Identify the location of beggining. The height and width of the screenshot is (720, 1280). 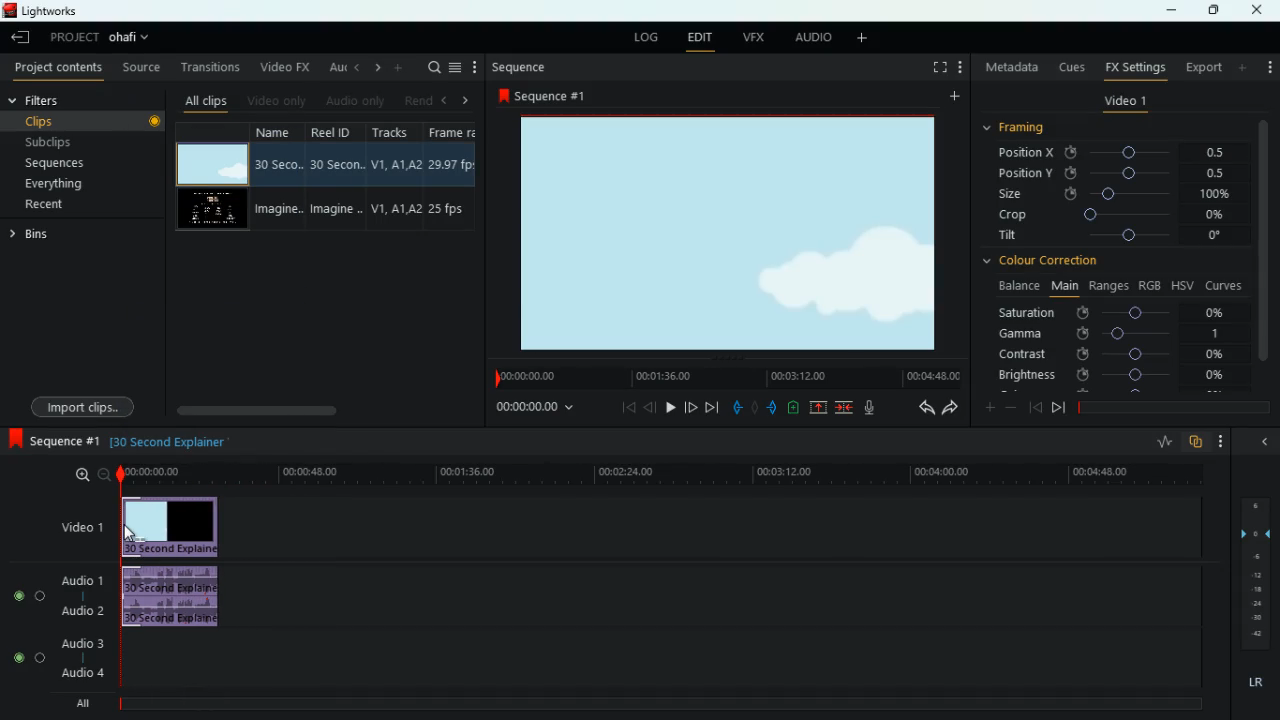
(626, 406).